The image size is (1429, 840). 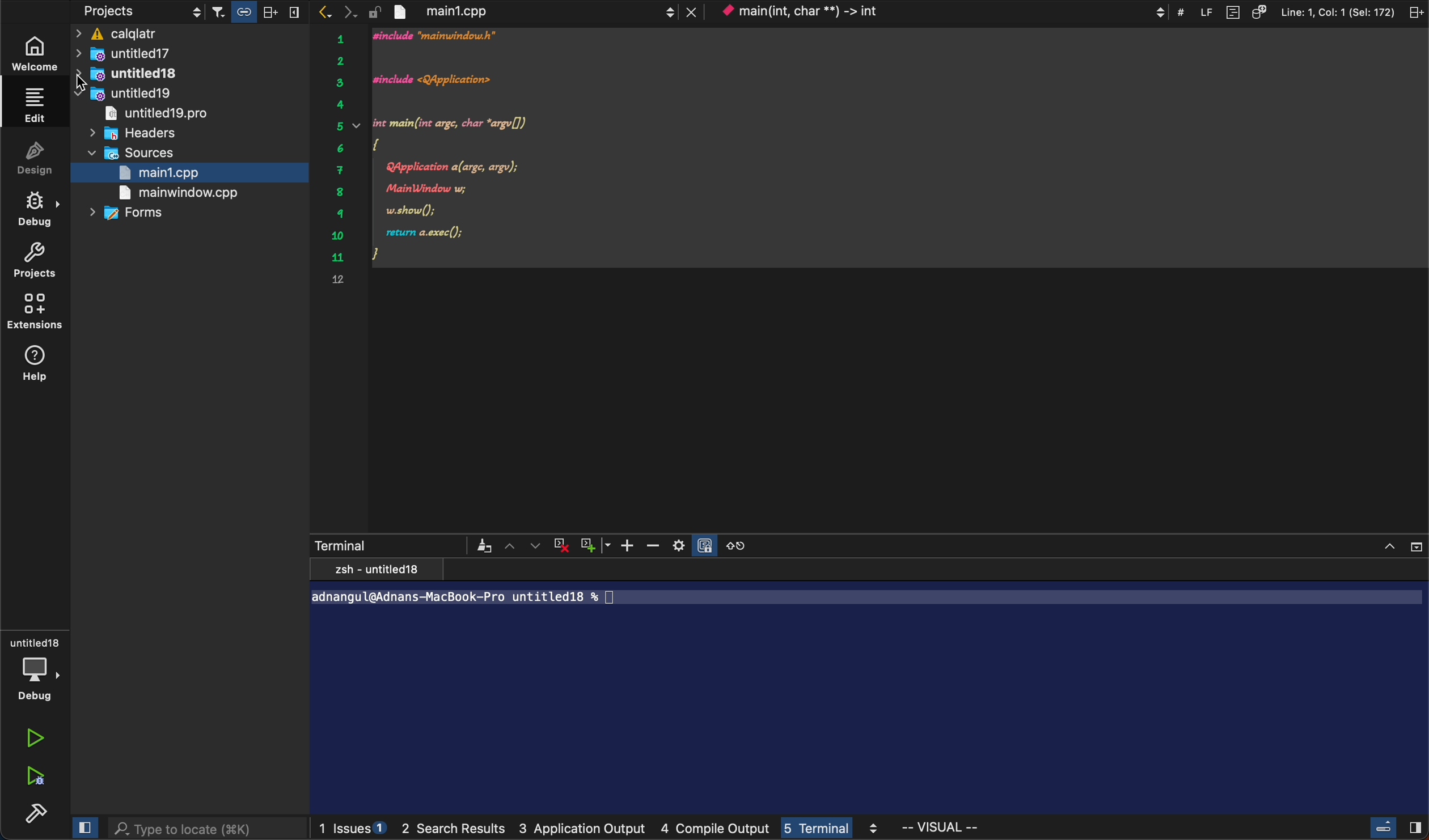 What do you see at coordinates (534, 12) in the screenshot?
I see `file tab` at bounding box center [534, 12].